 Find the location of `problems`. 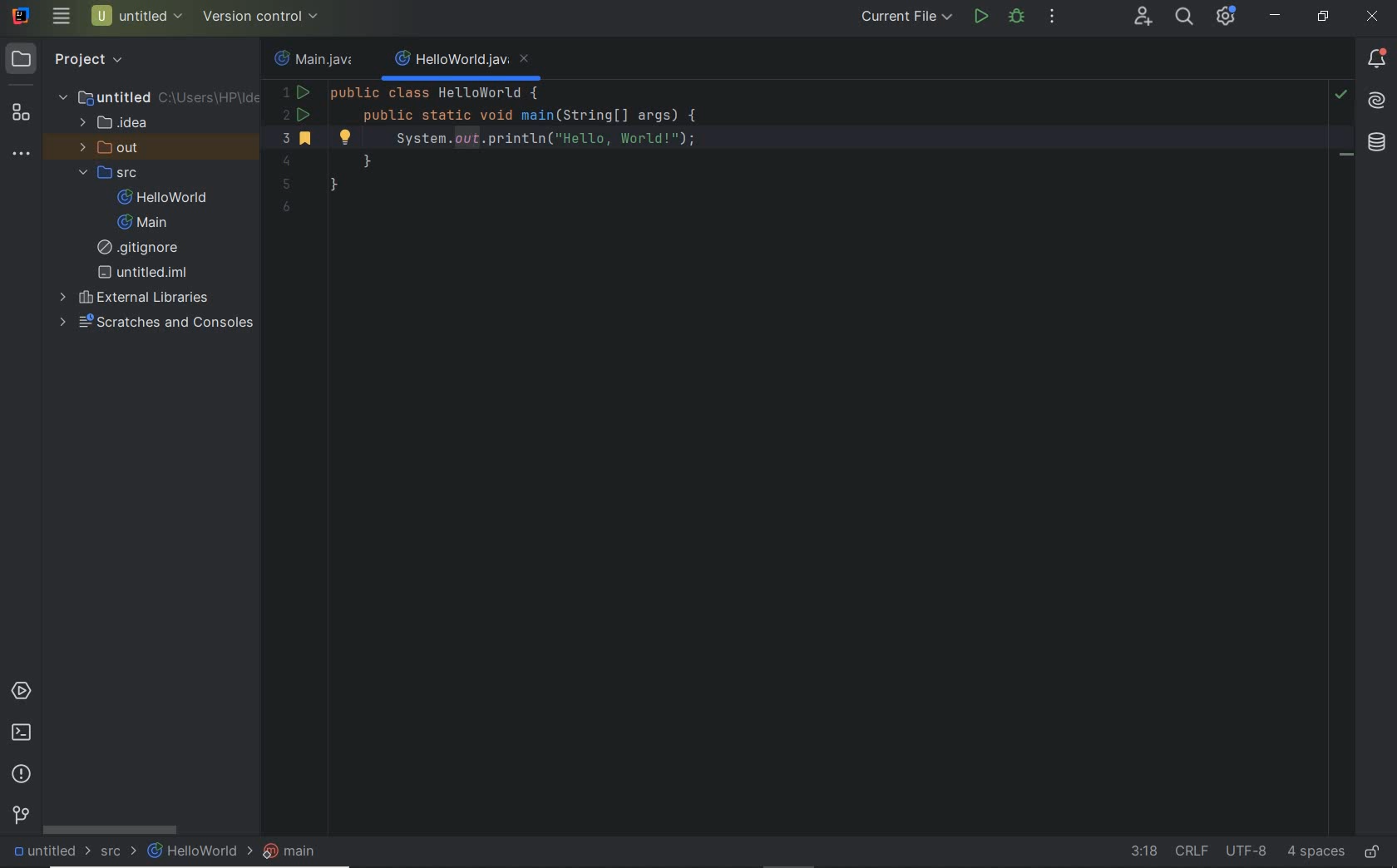

problems is located at coordinates (25, 774).